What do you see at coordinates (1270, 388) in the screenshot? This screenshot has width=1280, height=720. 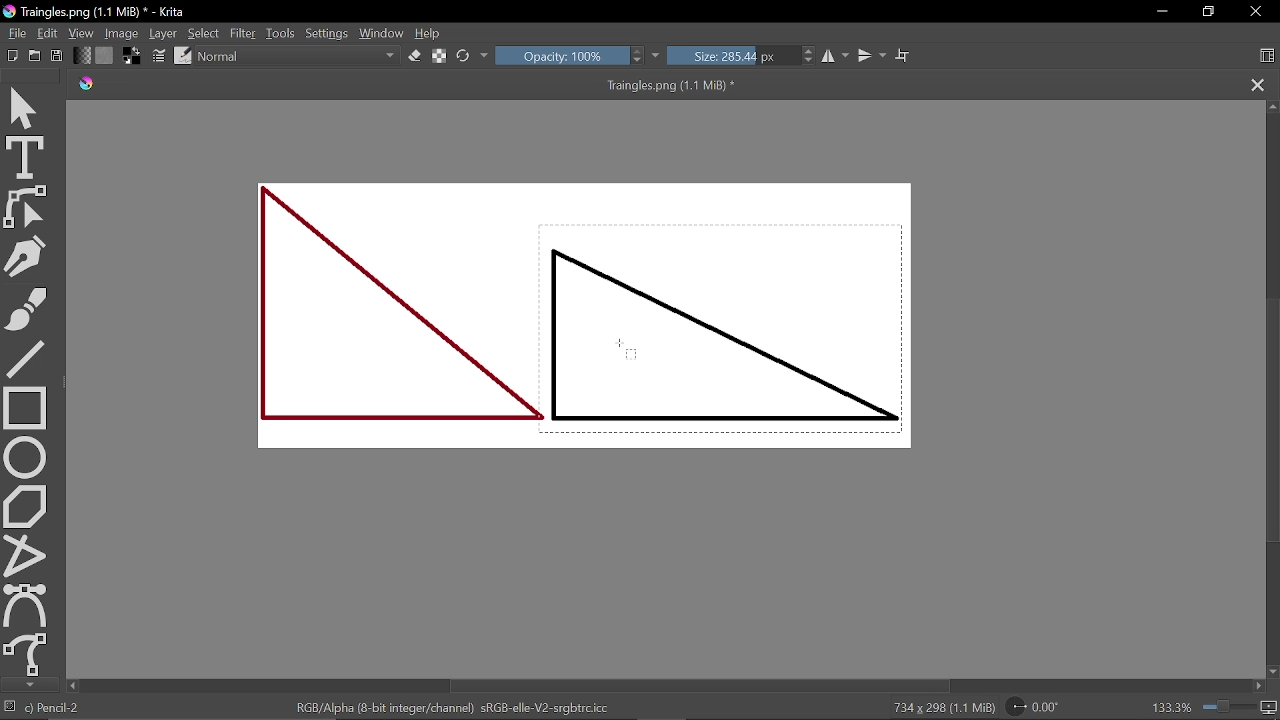 I see `Scroll bar` at bounding box center [1270, 388].